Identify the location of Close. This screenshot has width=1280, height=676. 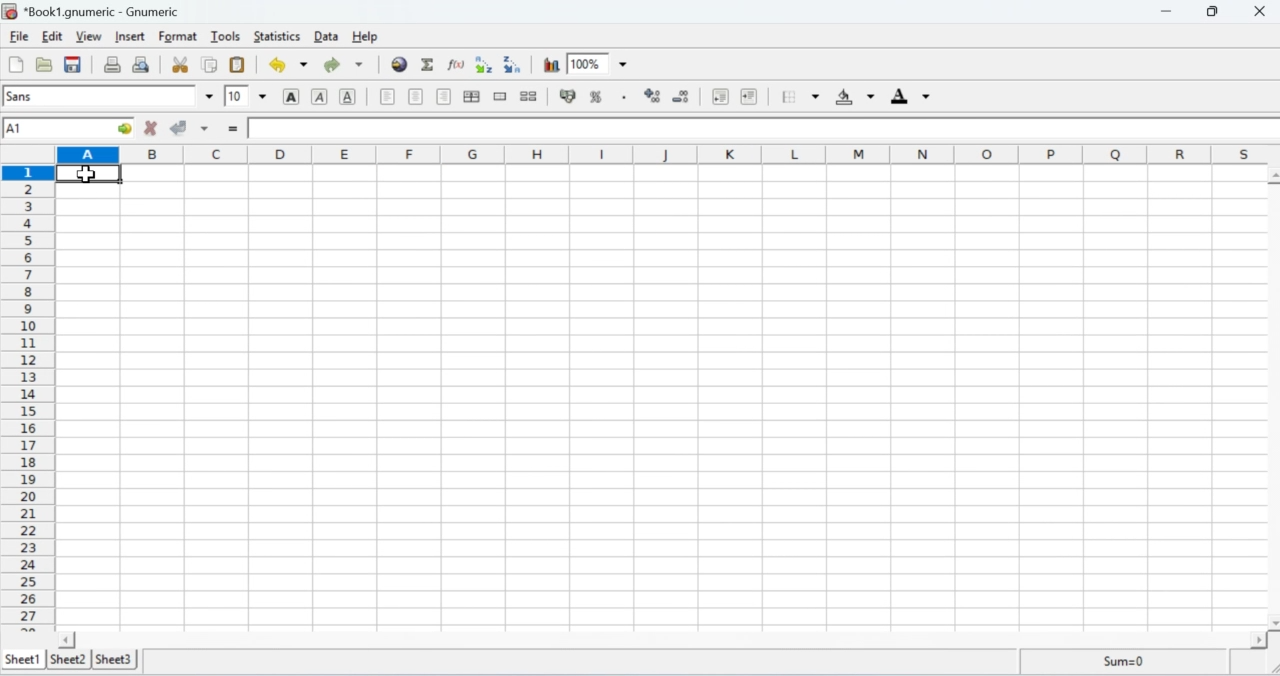
(1258, 11).